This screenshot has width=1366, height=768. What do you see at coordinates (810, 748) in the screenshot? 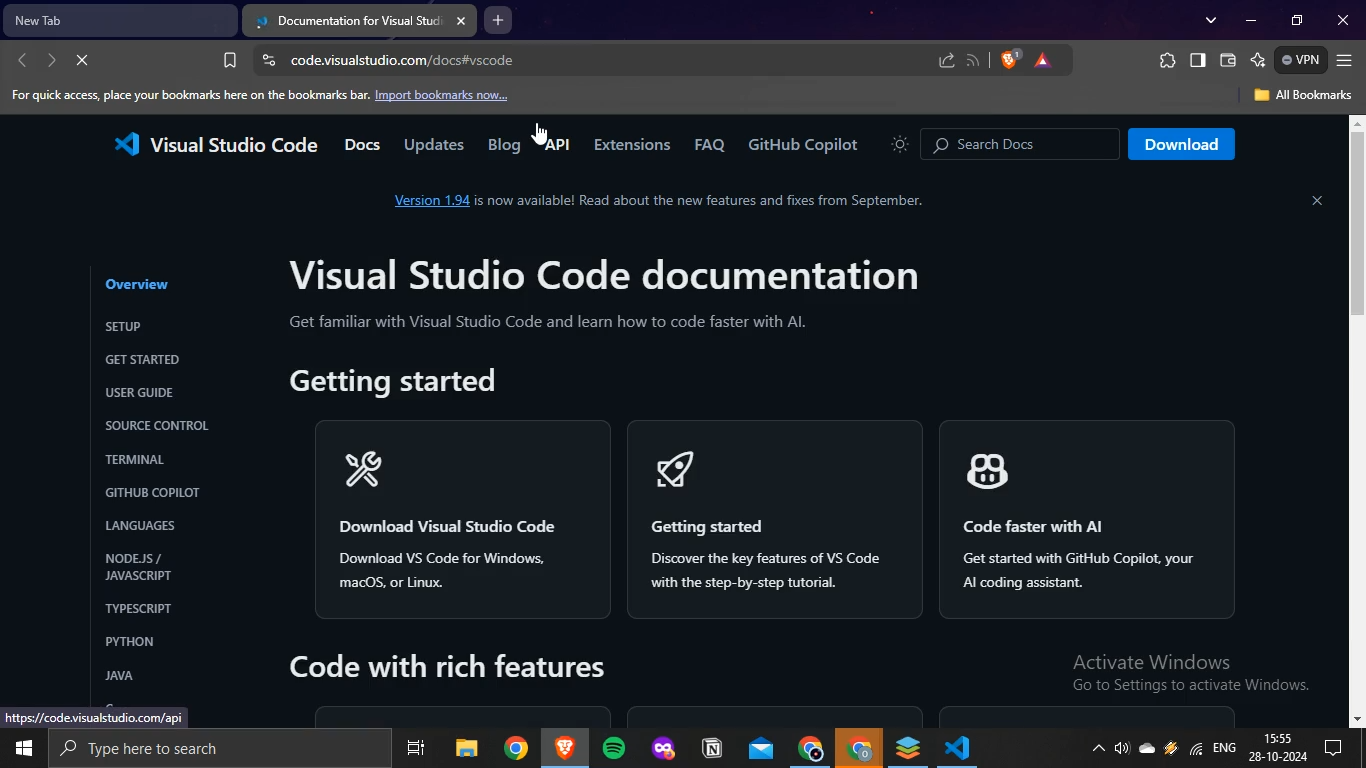
I see `google chrome` at bounding box center [810, 748].